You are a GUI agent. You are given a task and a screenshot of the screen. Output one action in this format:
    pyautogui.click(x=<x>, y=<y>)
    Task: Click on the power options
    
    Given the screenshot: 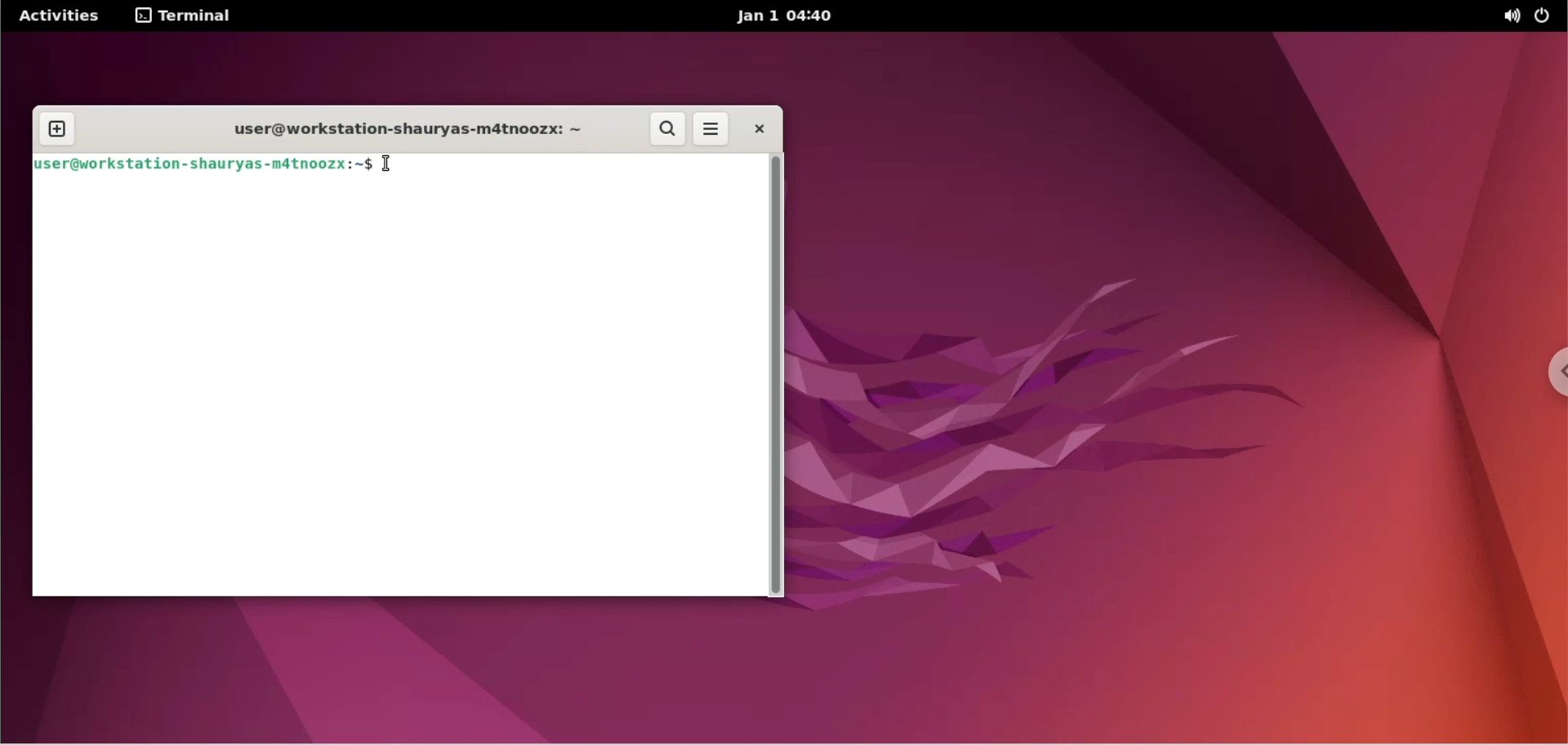 What is the action you would take?
    pyautogui.click(x=1547, y=16)
    